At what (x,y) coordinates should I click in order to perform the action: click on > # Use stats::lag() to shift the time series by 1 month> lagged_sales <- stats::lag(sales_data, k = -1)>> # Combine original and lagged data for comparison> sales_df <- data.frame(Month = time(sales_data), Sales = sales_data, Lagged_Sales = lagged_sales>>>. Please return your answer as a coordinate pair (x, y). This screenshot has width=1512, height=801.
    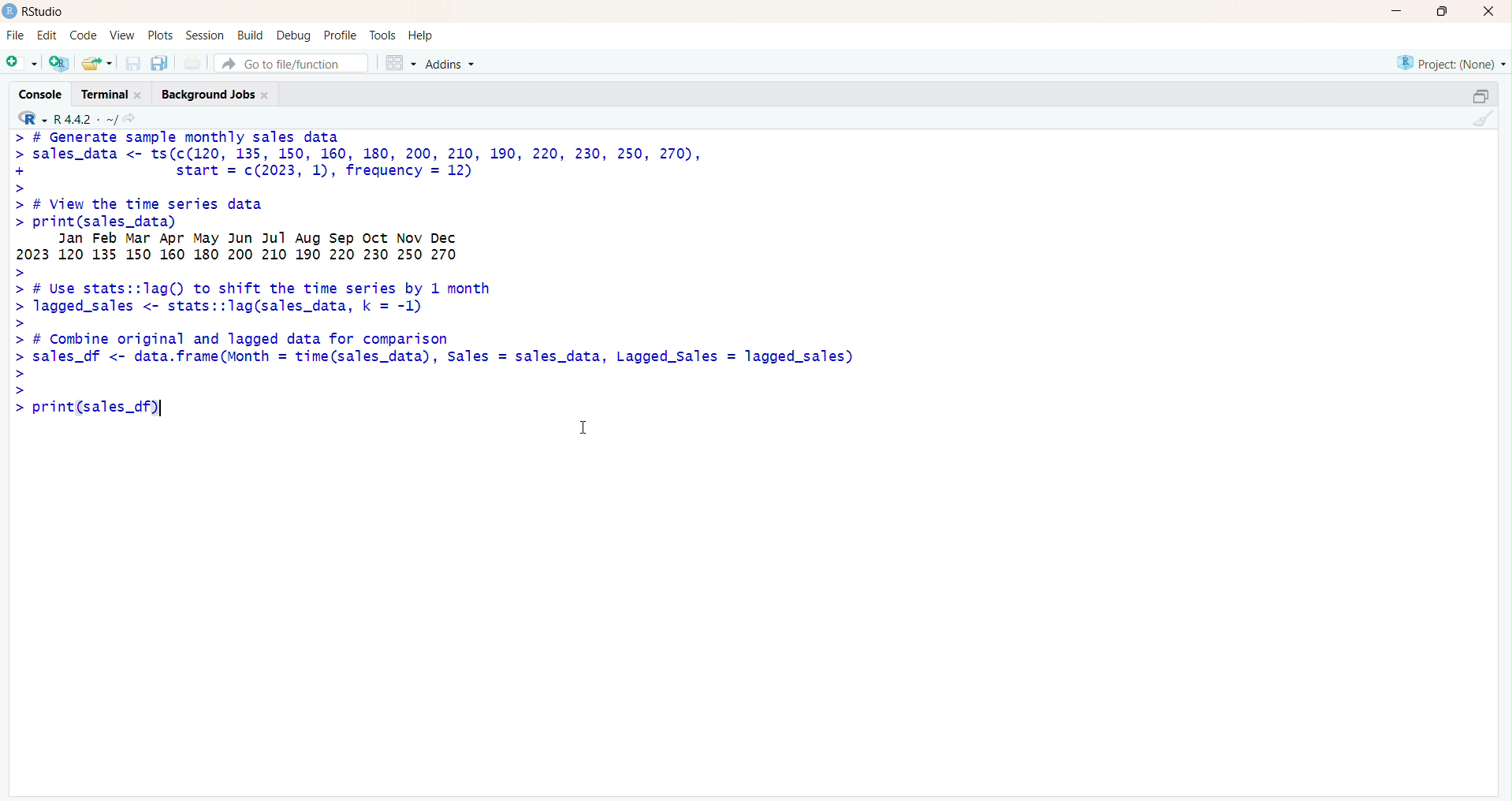
    Looking at the image, I should click on (434, 331).